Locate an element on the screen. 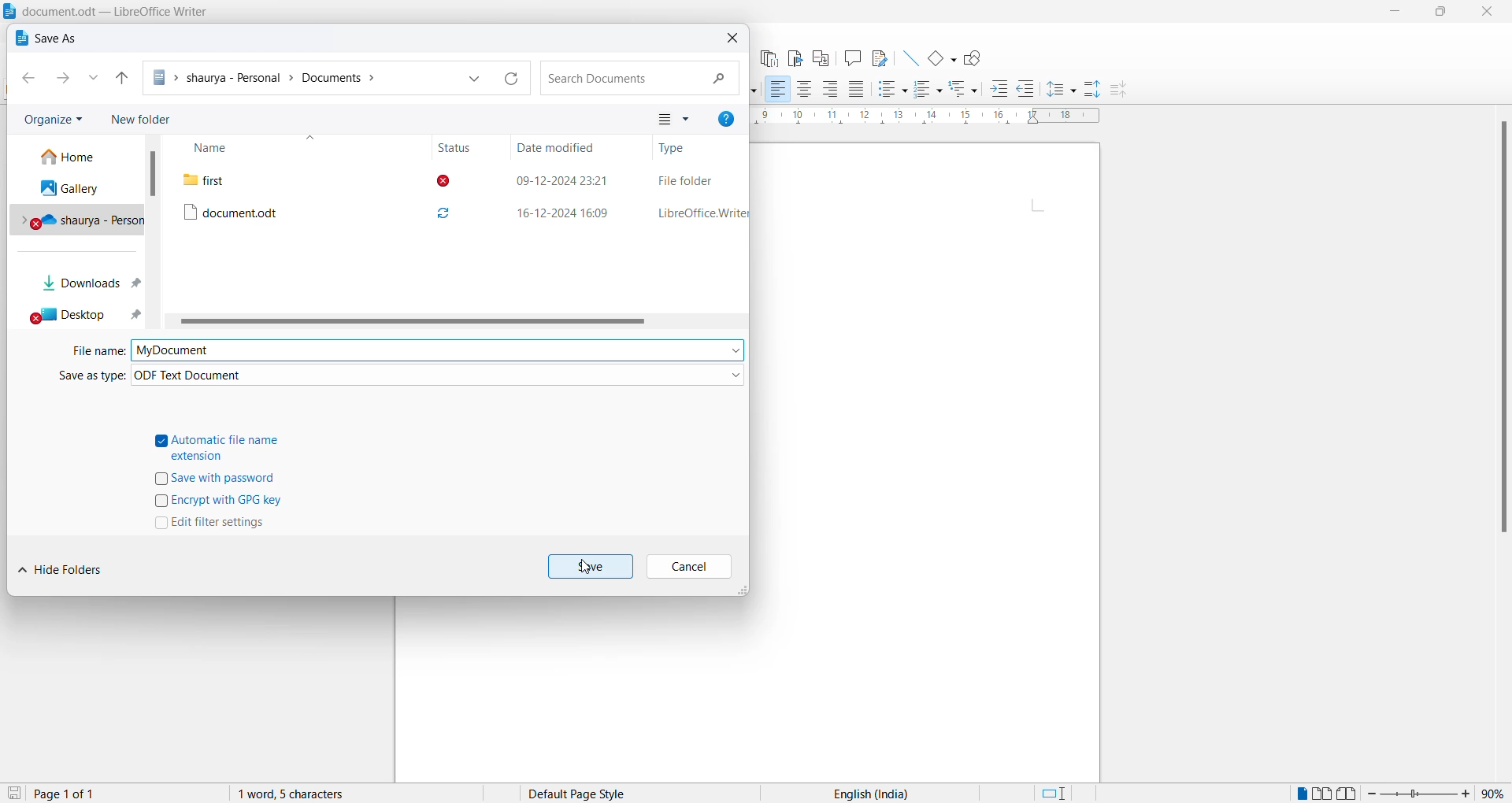 The width and height of the screenshot is (1512, 803). document.odt is located at coordinates (279, 210).